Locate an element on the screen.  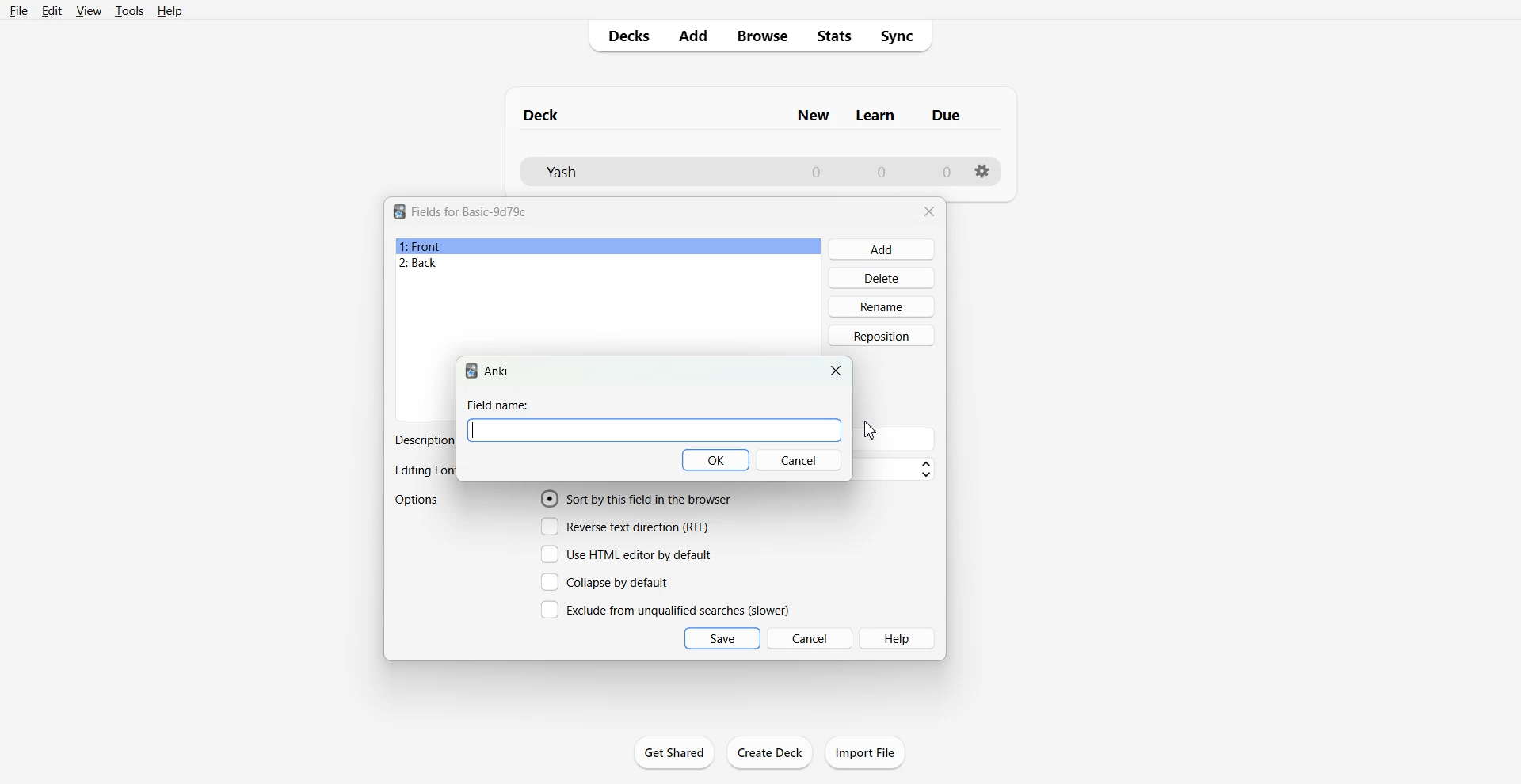
Cancel is located at coordinates (810, 637).